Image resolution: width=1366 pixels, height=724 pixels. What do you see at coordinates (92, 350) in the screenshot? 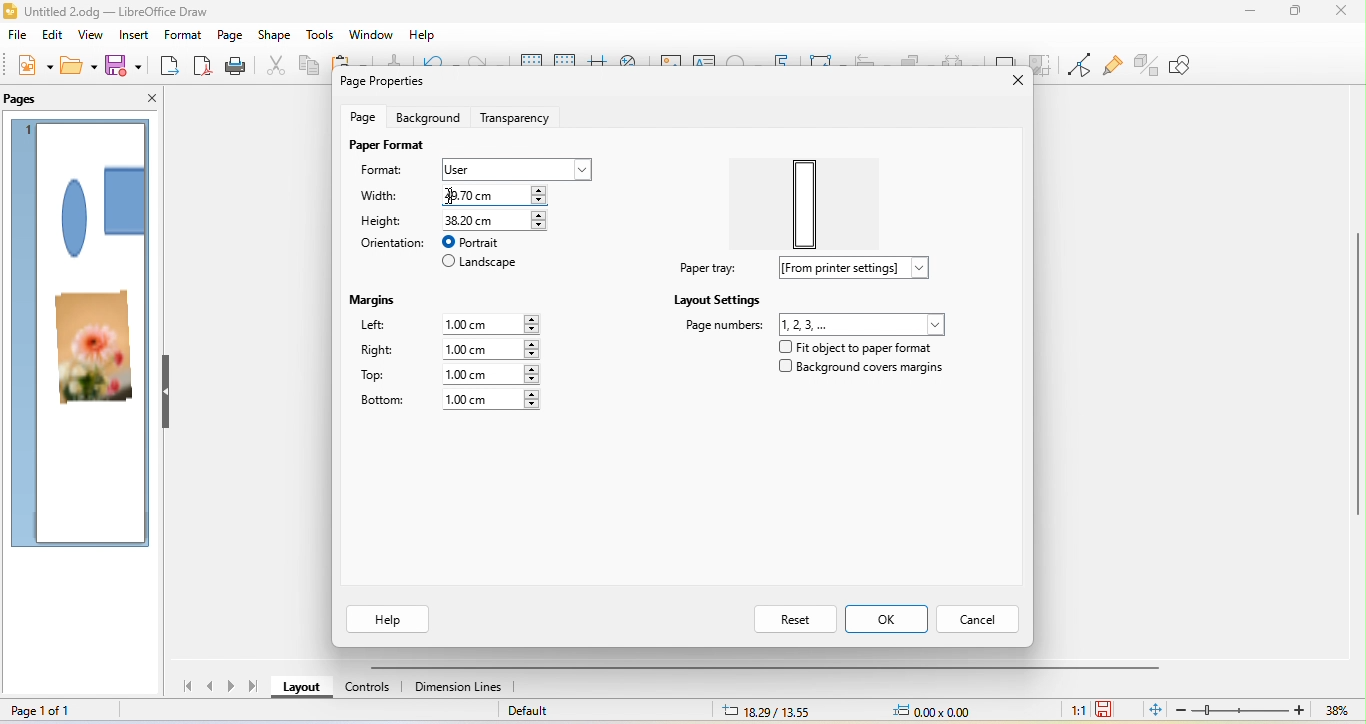
I see `photo` at bounding box center [92, 350].